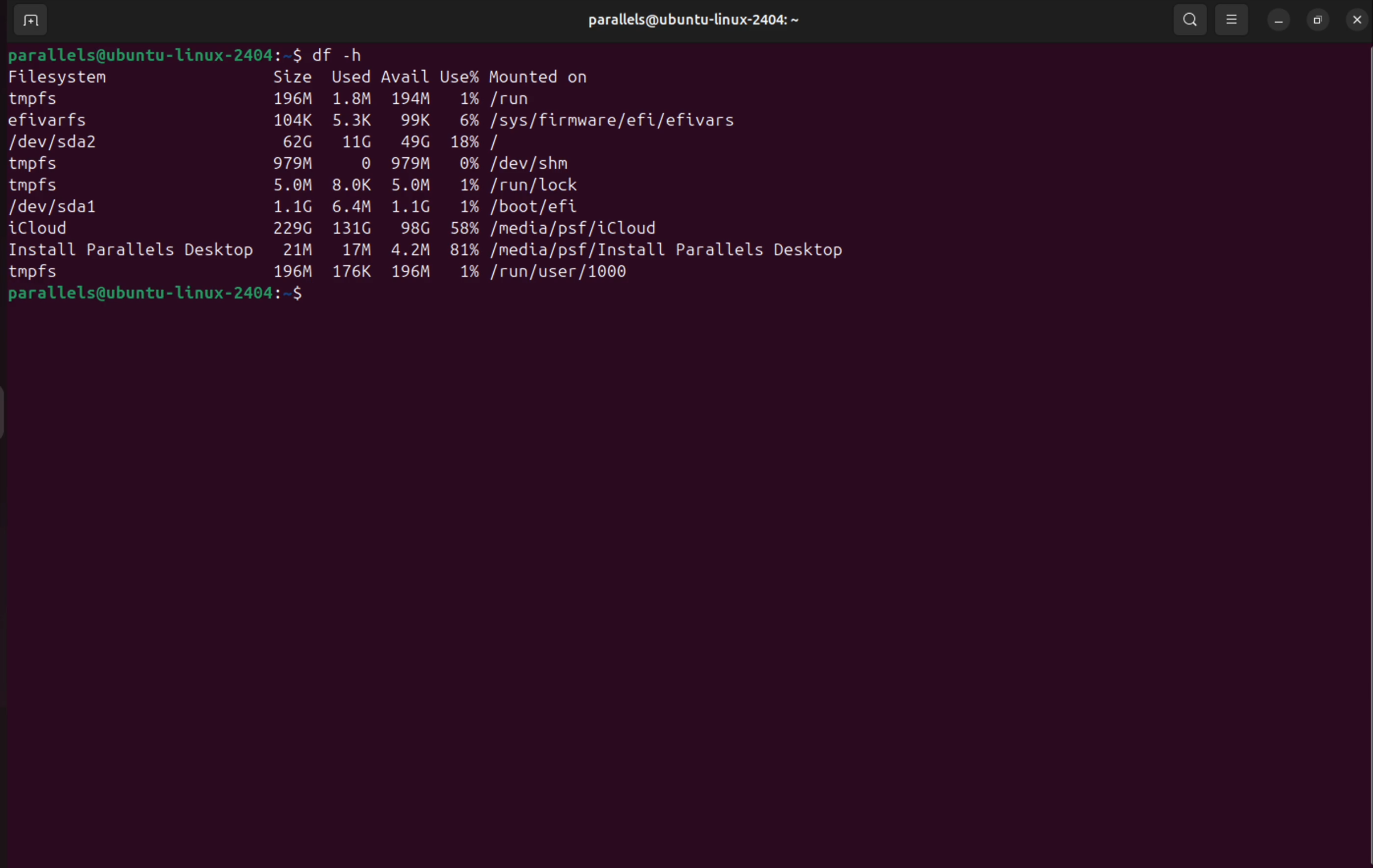 This screenshot has width=1373, height=868. Describe the element at coordinates (1279, 20) in the screenshot. I see `minimize` at that location.